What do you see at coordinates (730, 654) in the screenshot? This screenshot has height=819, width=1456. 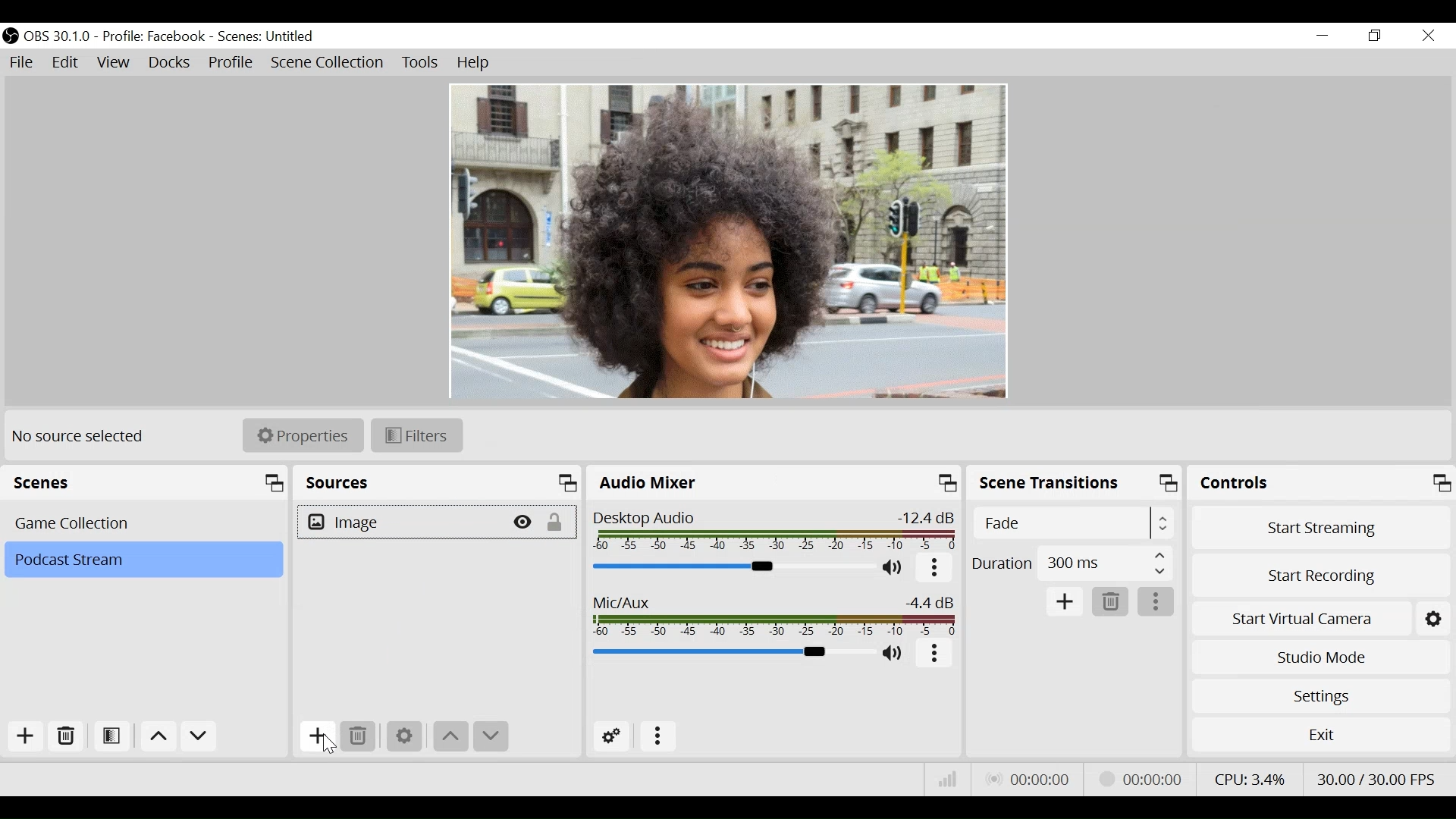 I see `Mic Slider` at bounding box center [730, 654].